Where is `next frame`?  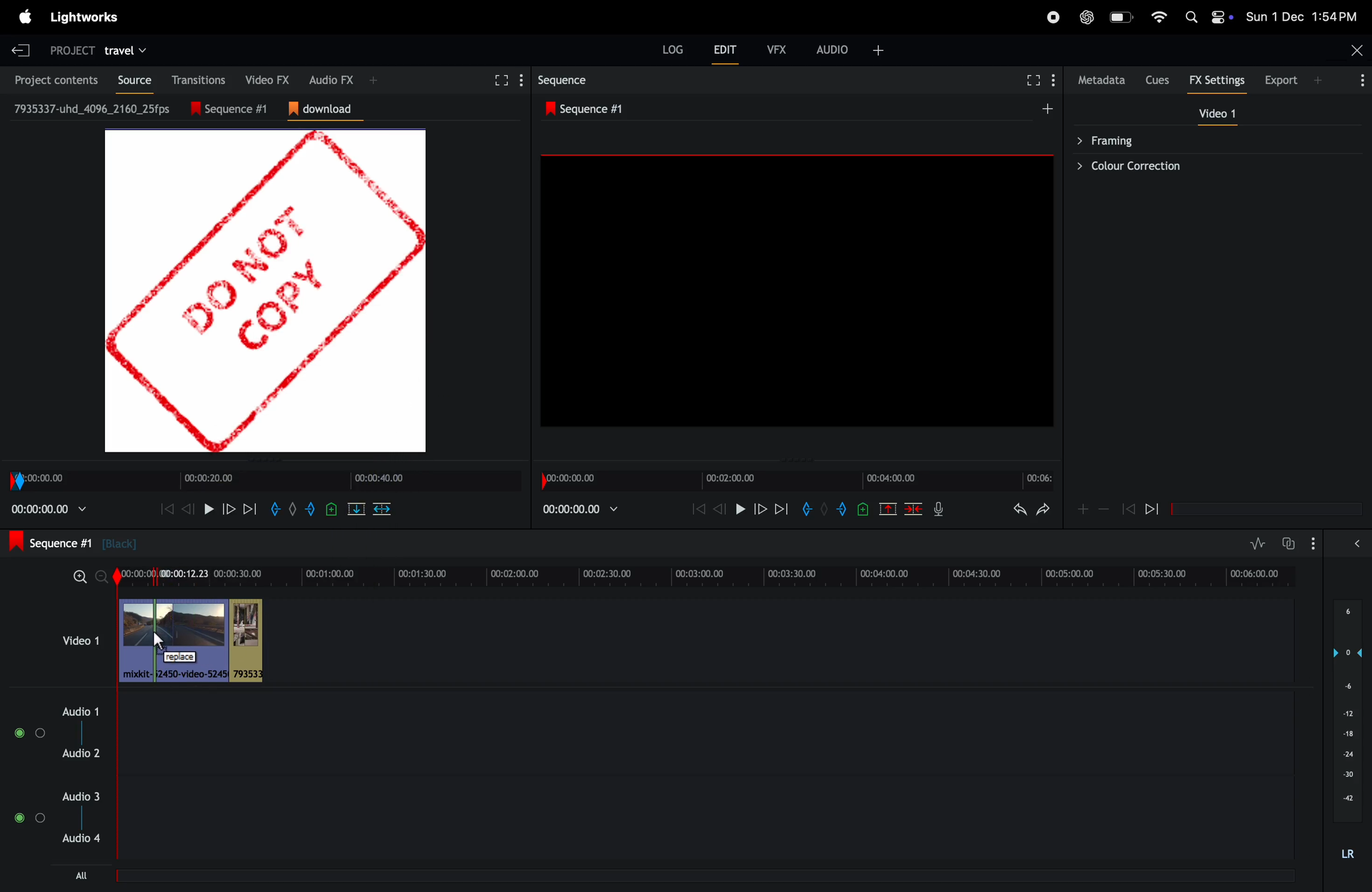 next frame is located at coordinates (249, 509).